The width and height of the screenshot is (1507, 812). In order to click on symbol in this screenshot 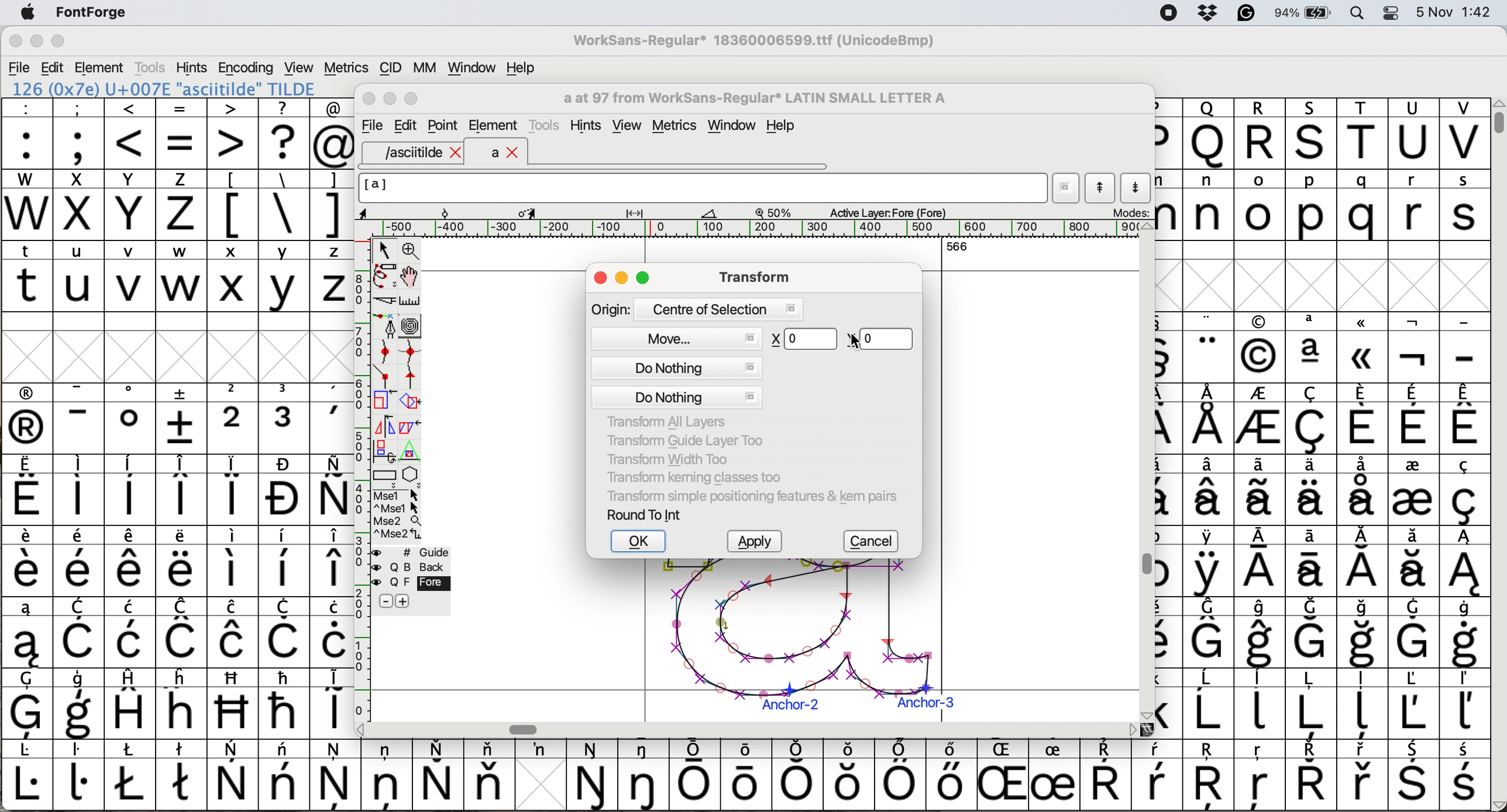, I will do `click(1415, 349)`.